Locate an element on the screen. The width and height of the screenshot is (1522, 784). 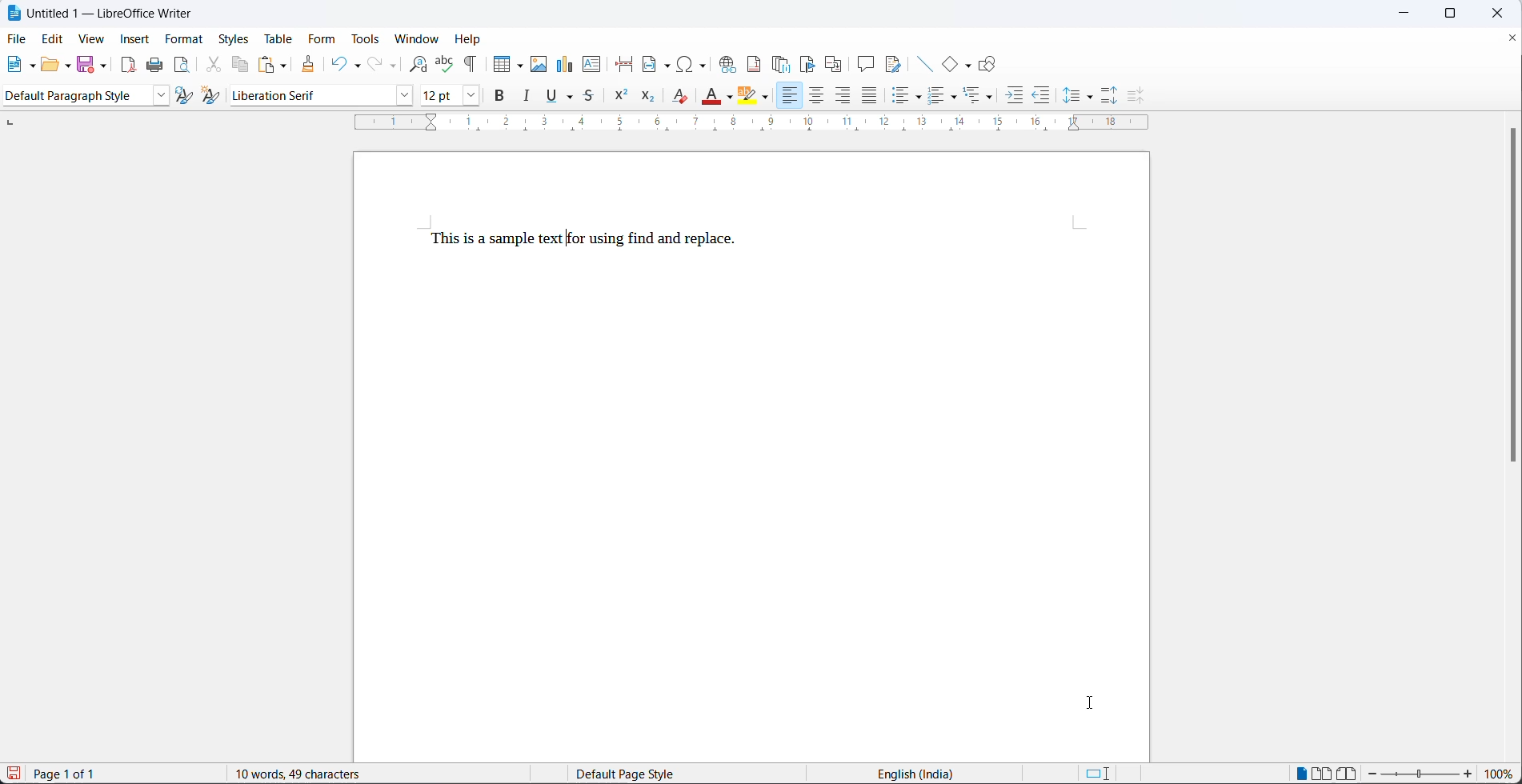
single page view is located at coordinates (1302, 772).